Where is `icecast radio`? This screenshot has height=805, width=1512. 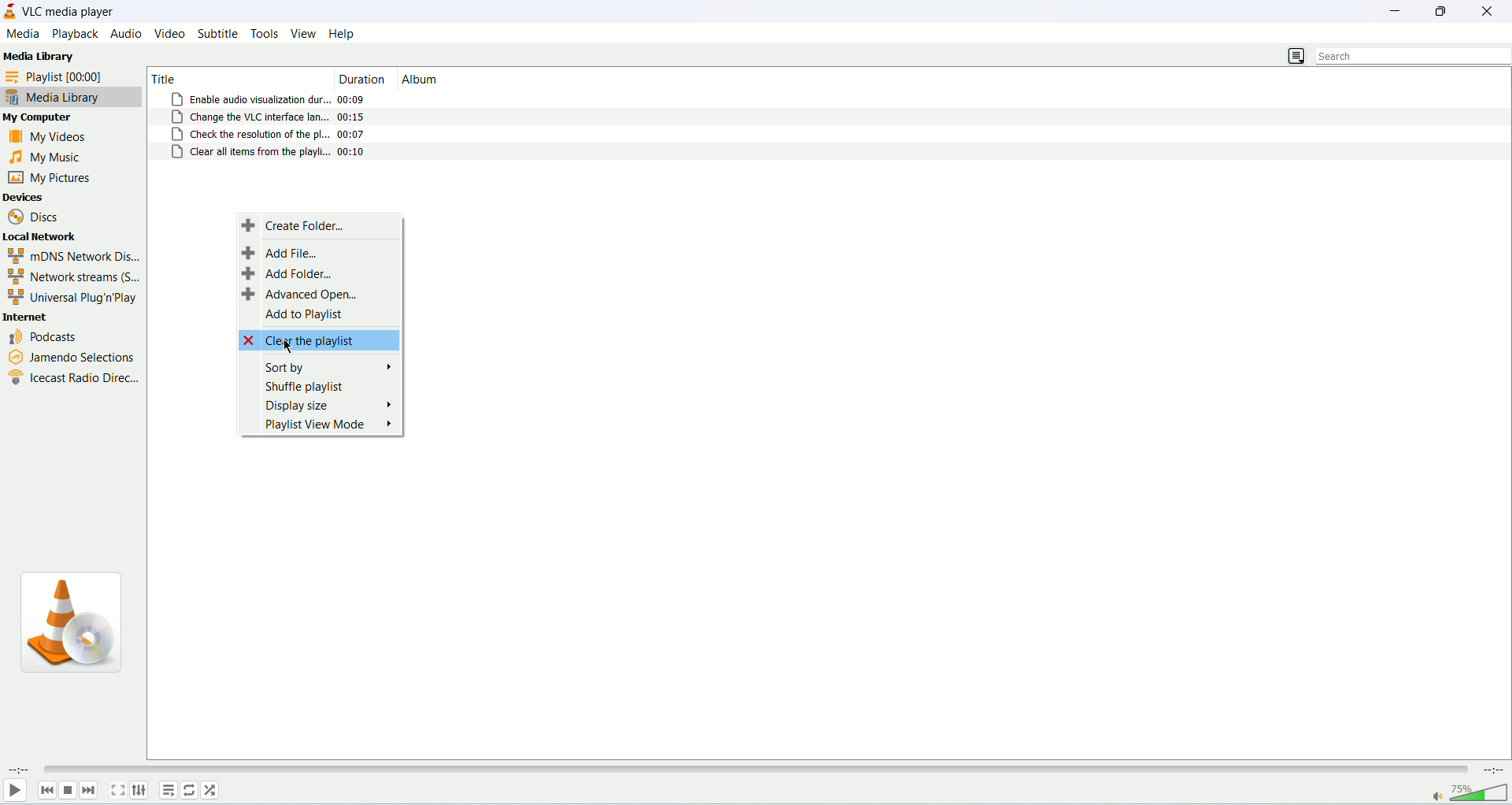 icecast radio is located at coordinates (72, 380).